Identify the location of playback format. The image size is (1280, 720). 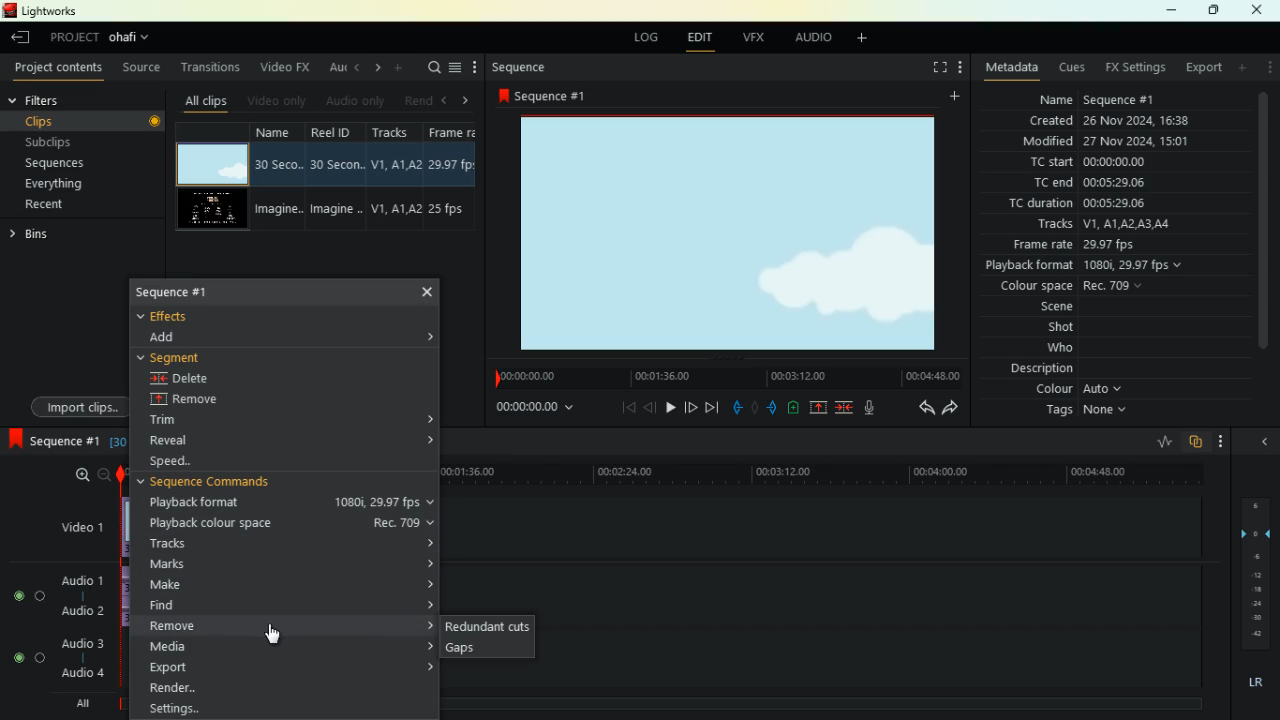
(289, 505).